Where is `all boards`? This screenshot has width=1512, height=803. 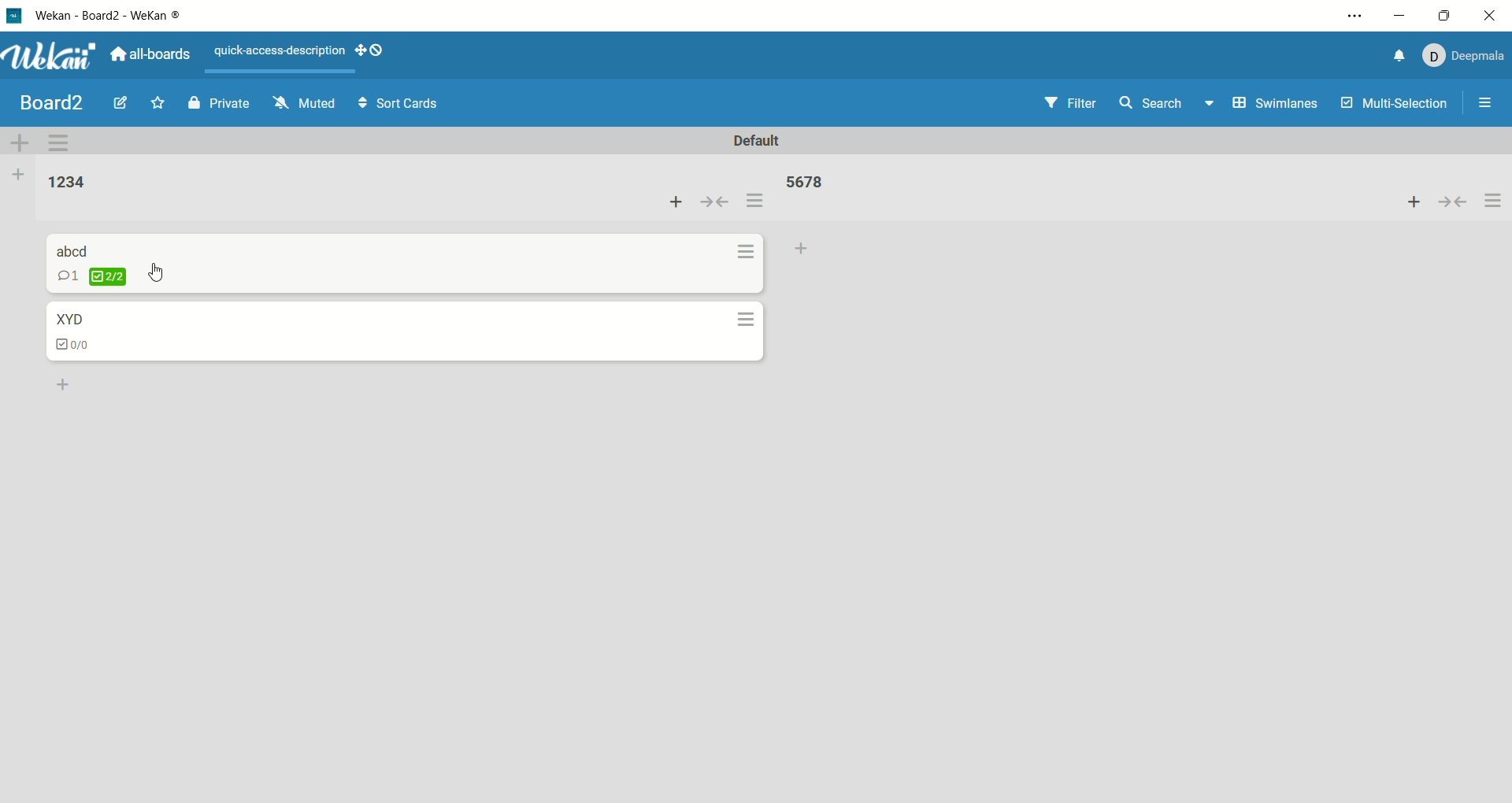
all boards is located at coordinates (157, 56).